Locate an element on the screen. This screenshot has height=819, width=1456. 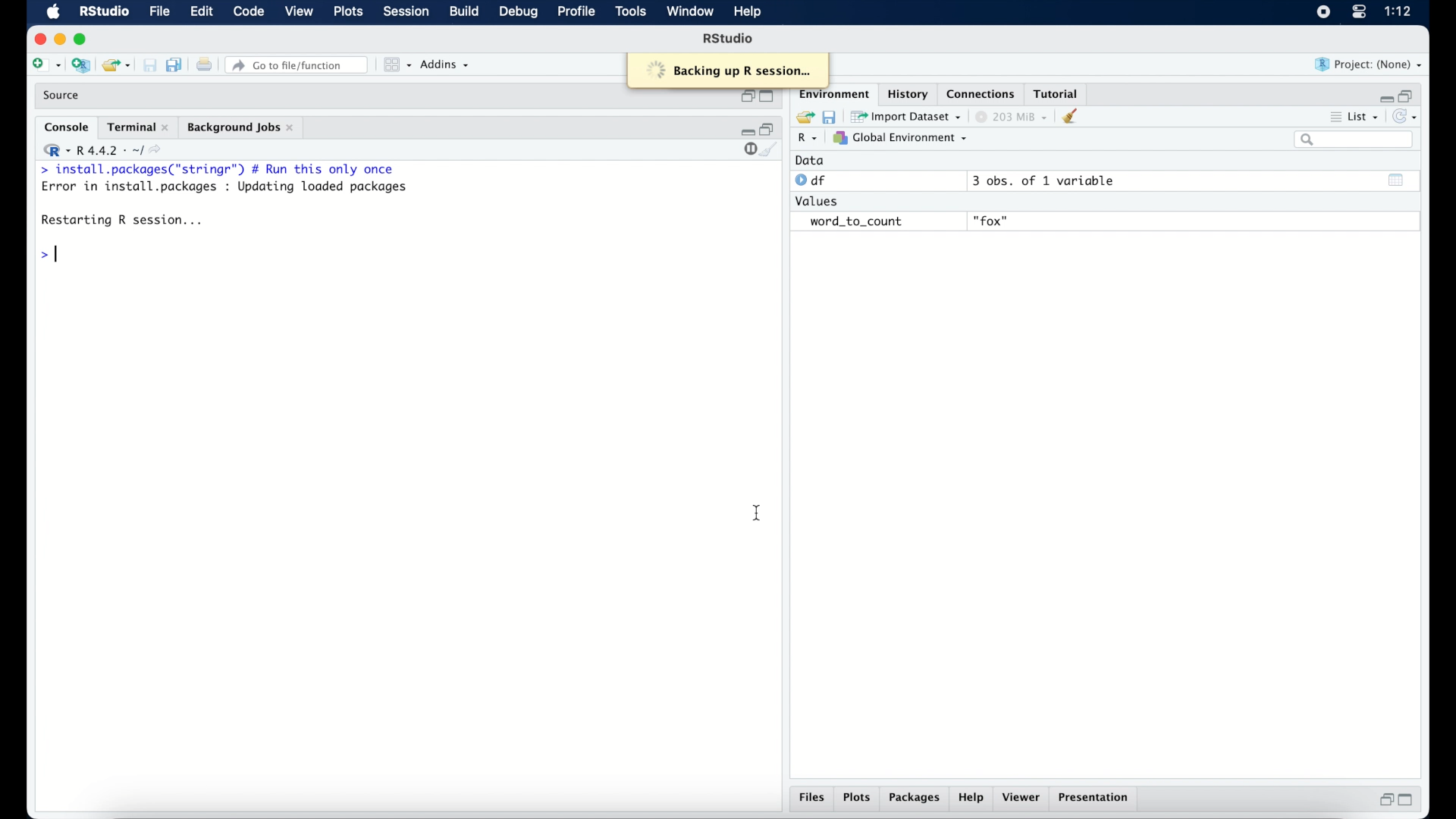
create new project is located at coordinates (80, 66).